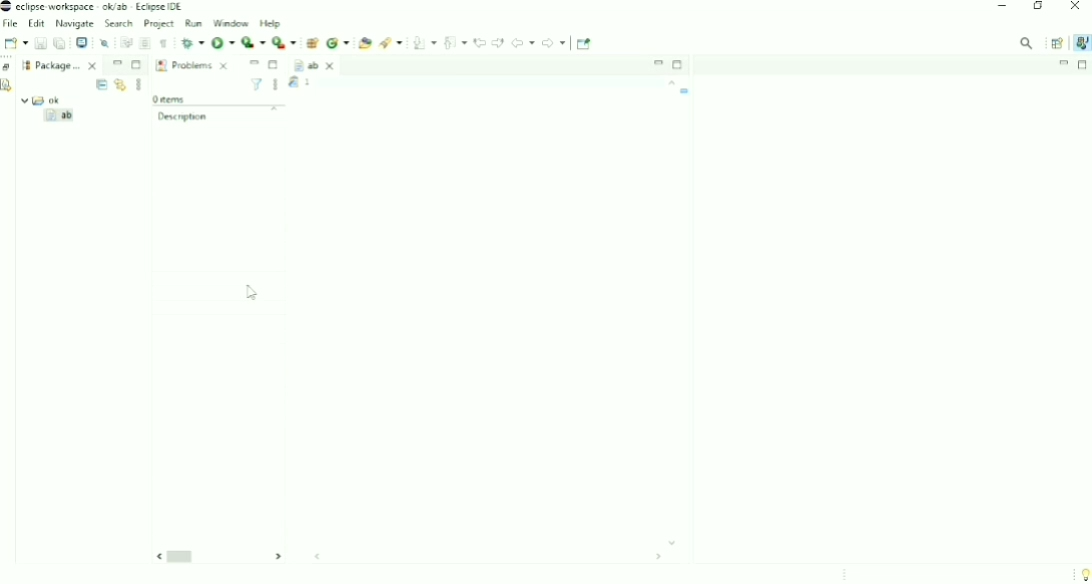 The height and width of the screenshot is (584, 1092). What do you see at coordinates (1037, 7) in the screenshot?
I see `Restore down` at bounding box center [1037, 7].